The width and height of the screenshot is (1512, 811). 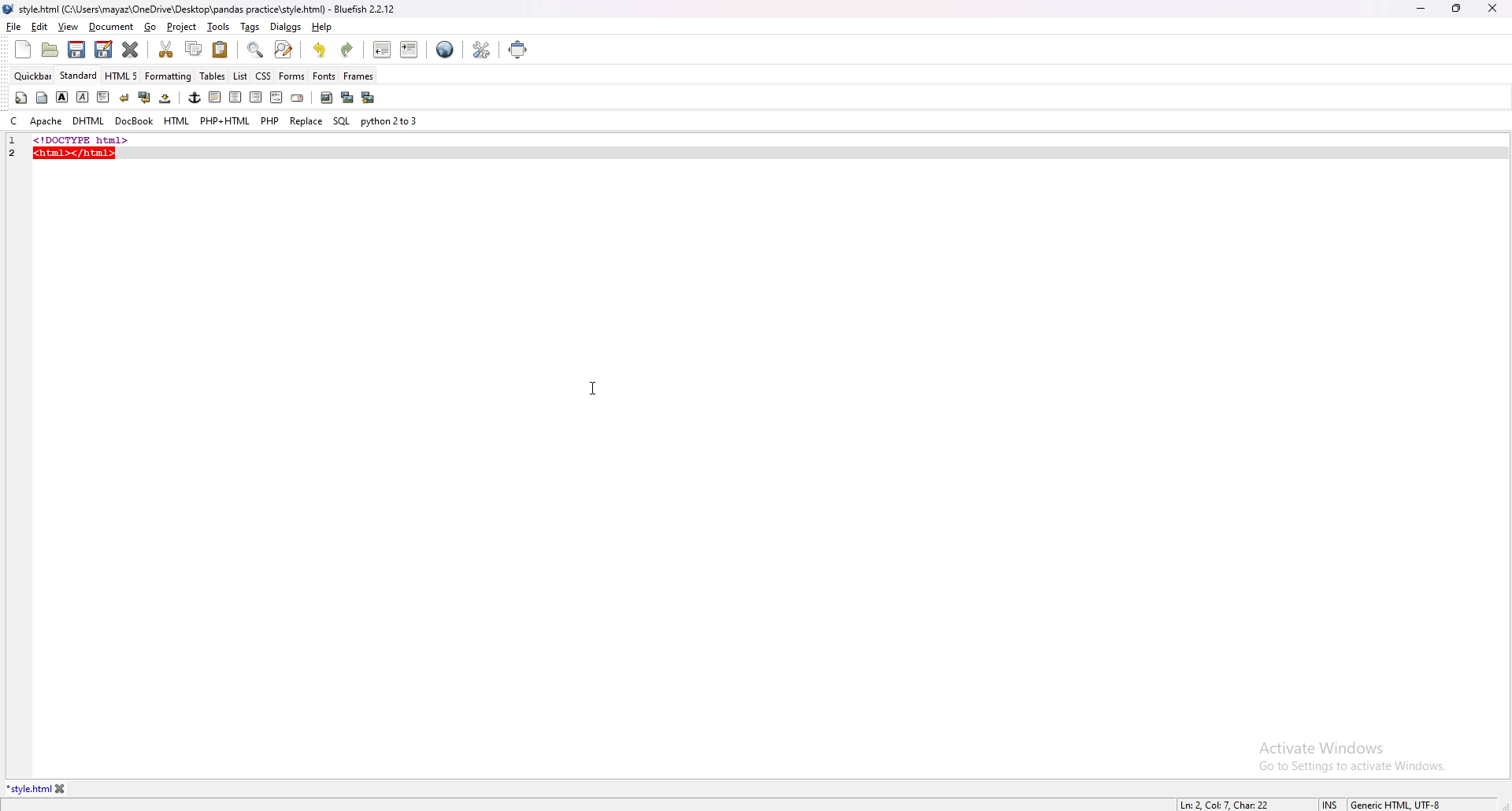 What do you see at coordinates (43, 96) in the screenshot?
I see `body` at bounding box center [43, 96].